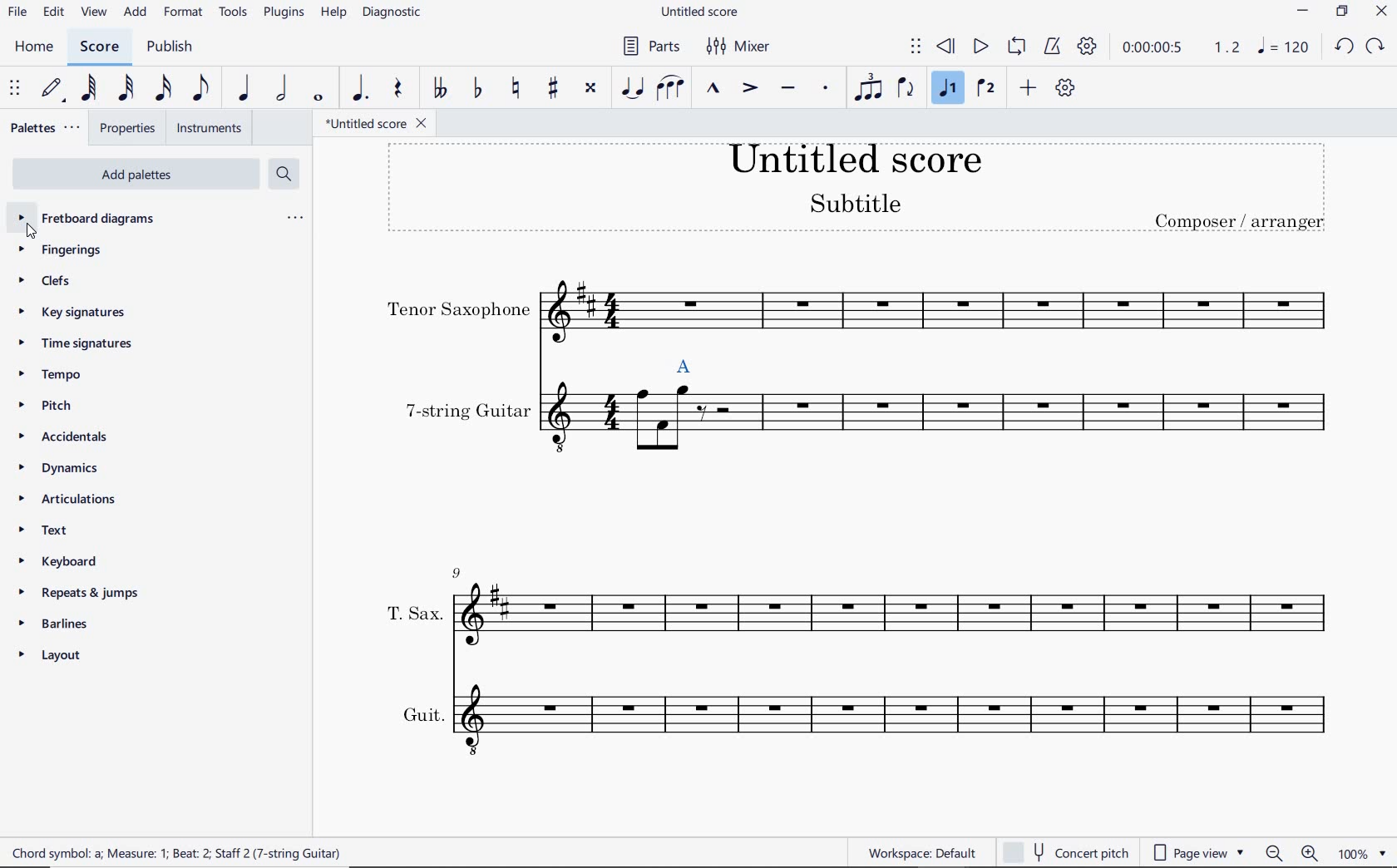 The image size is (1397, 868). What do you see at coordinates (712, 89) in the screenshot?
I see `MARCATO` at bounding box center [712, 89].